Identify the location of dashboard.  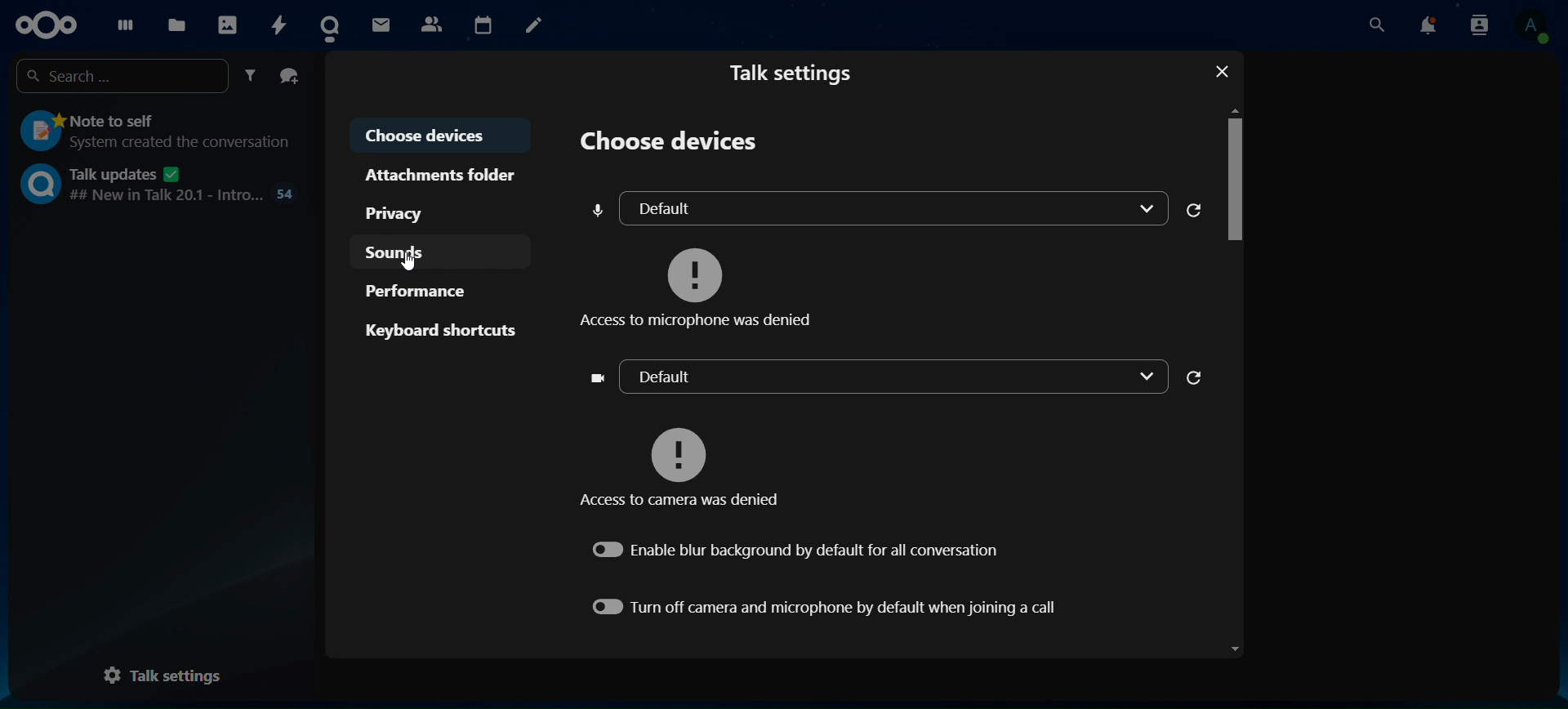
(121, 21).